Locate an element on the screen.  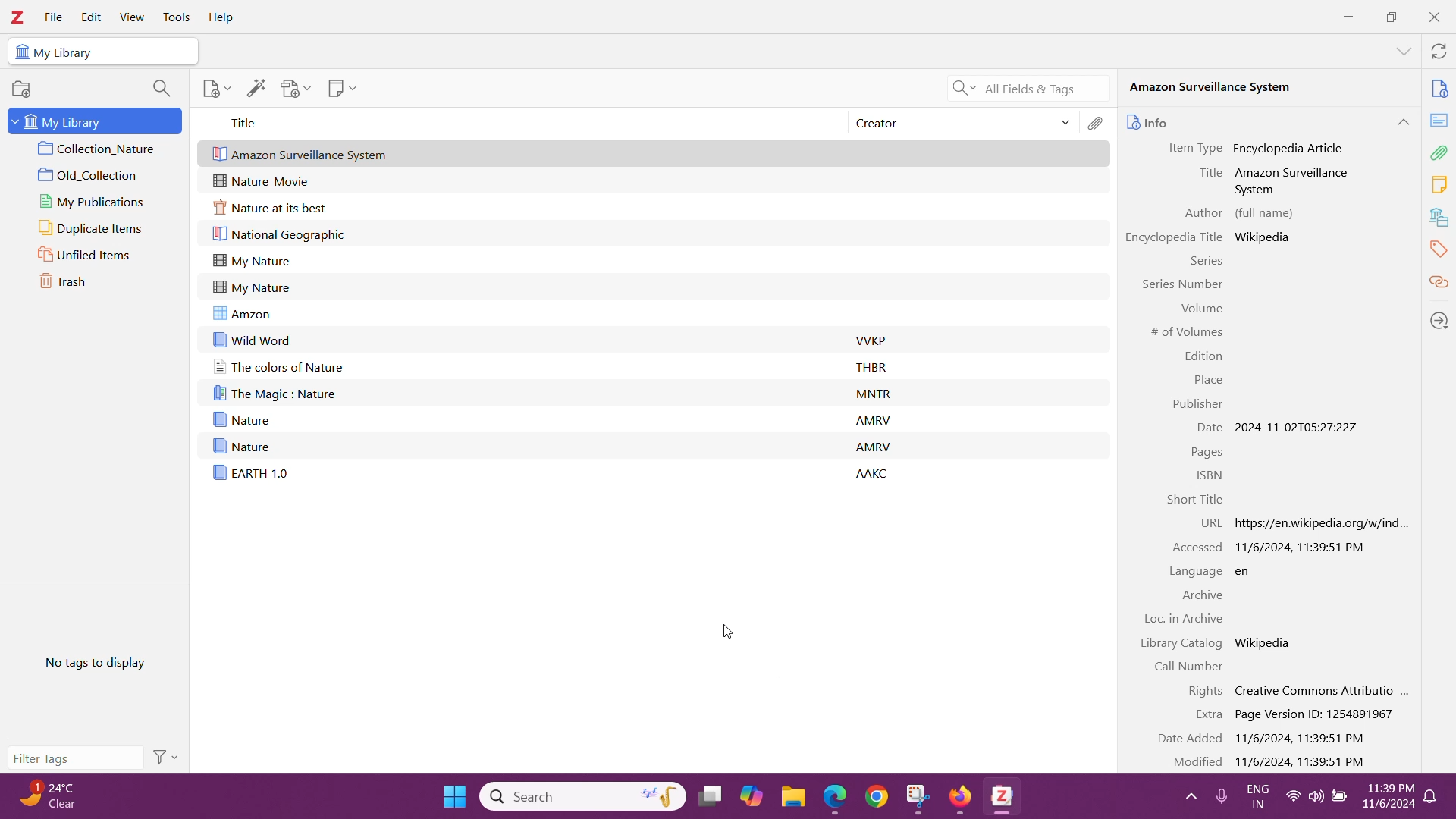
Extra is located at coordinates (1206, 714).